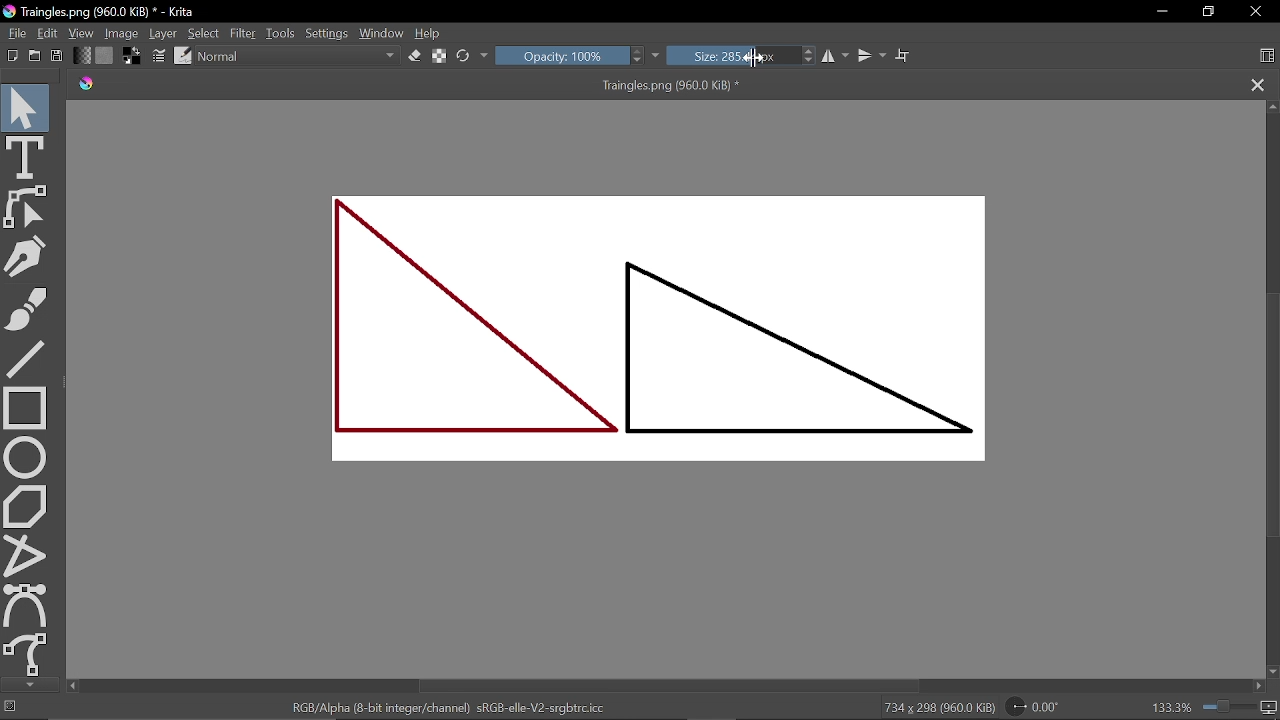 Image resolution: width=1280 pixels, height=720 pixels. What do you see at coordinates (1207, 11) in the screenshot?
I see `Restore down` at bounding box center [1207, 11].